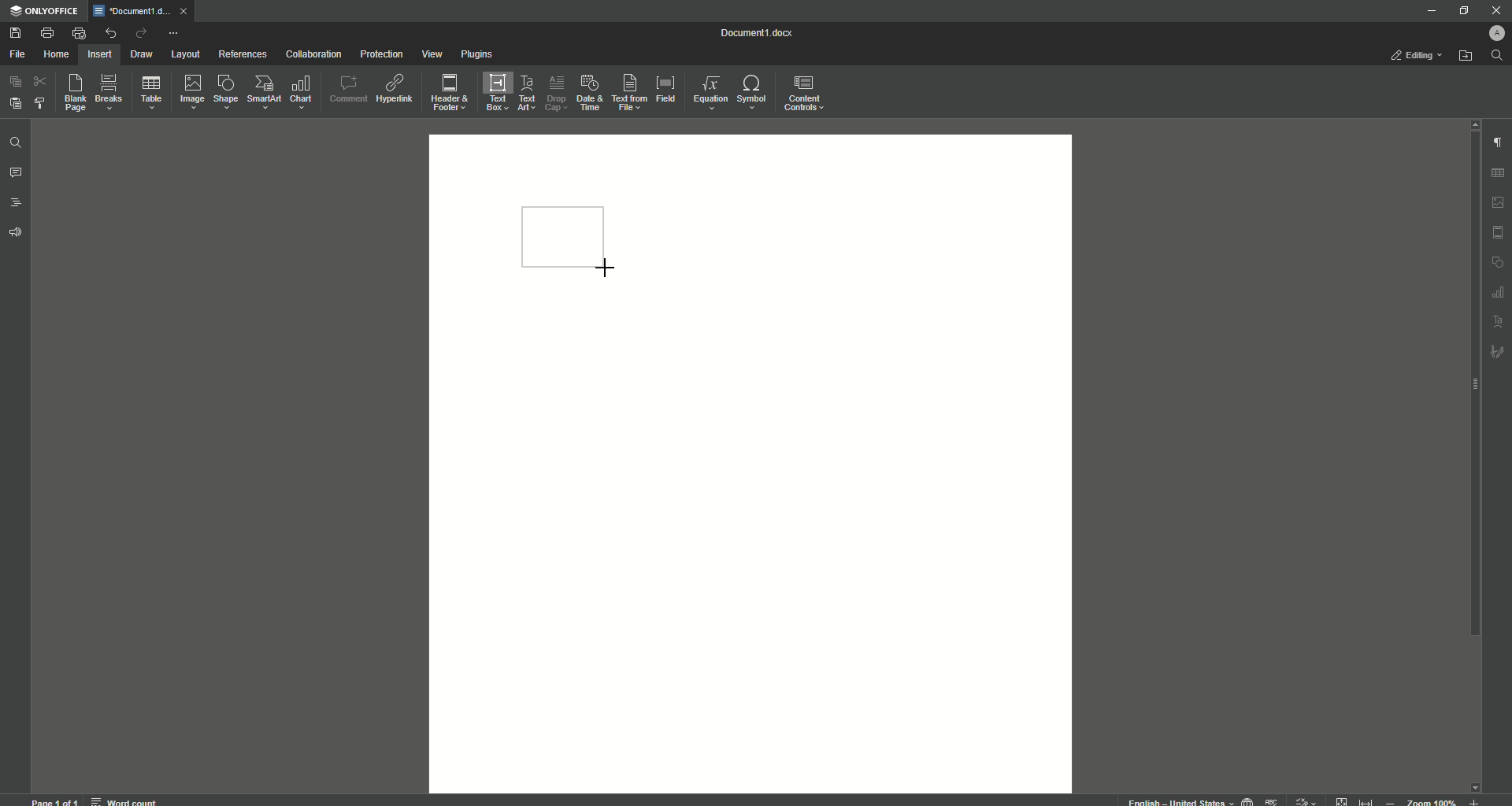 This screenshot has width=1512, height=806. Describe the element at coordinates (1419, 55) in the screenshot. I see `Editing` at that location.